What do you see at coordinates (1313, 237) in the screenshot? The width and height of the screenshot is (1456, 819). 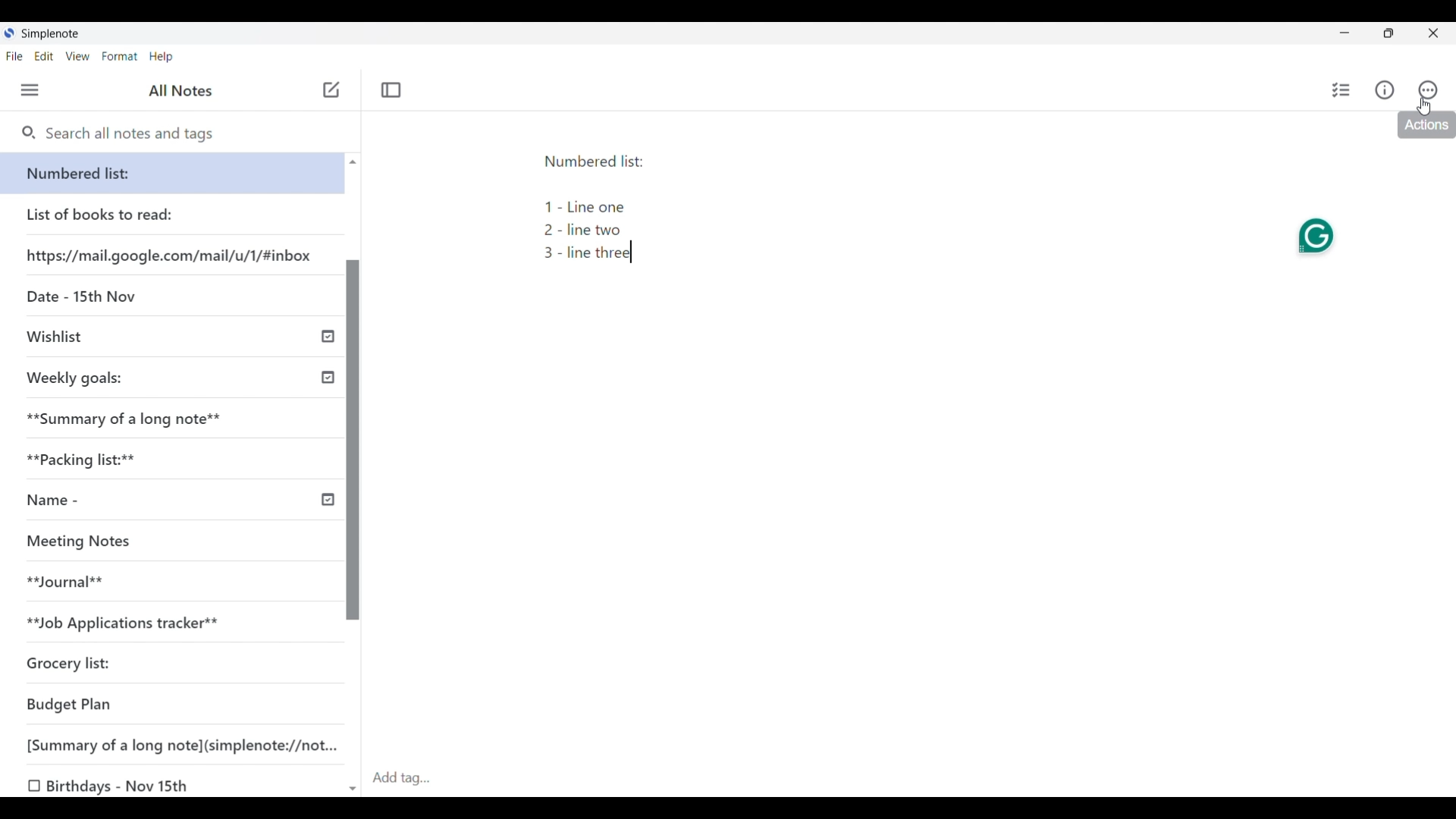 I see `Grammarly extension activated` at bounding box center [1313, 237].